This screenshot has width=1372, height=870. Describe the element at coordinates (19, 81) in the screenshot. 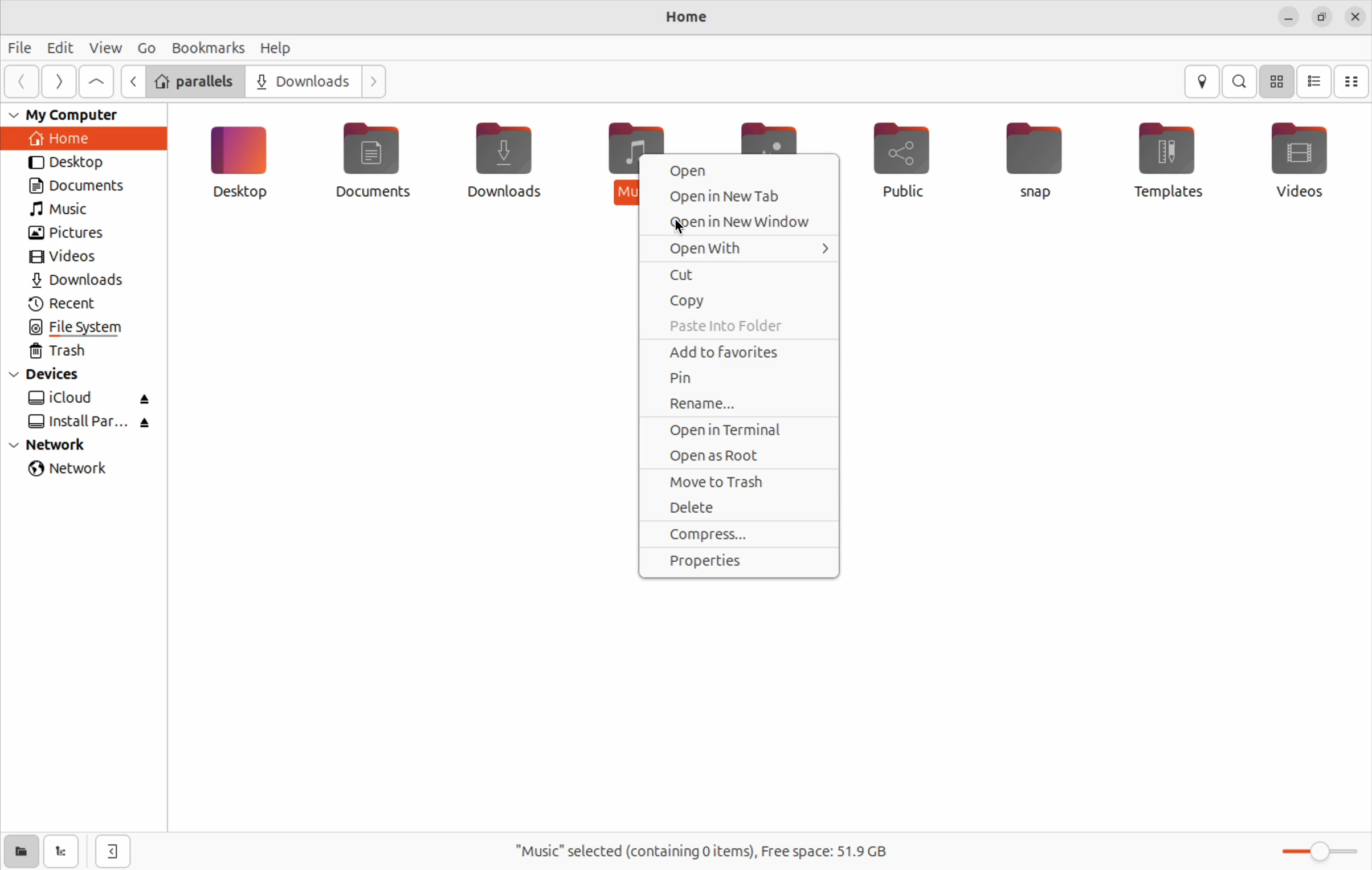

I see `previous` at that location.